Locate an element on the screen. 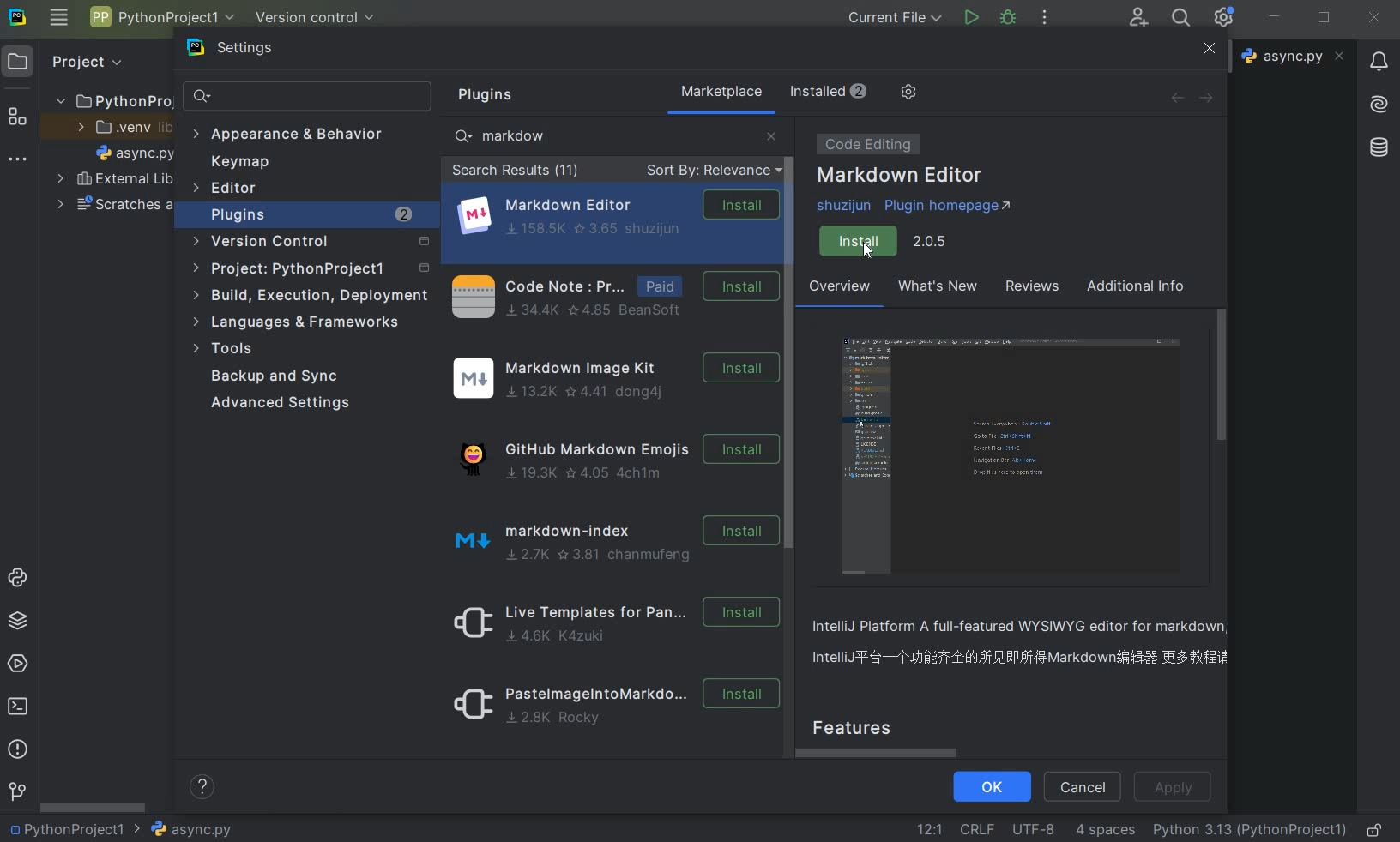 This screenshot has height=842, width=1400. database is located at coordinates (1378, 148).